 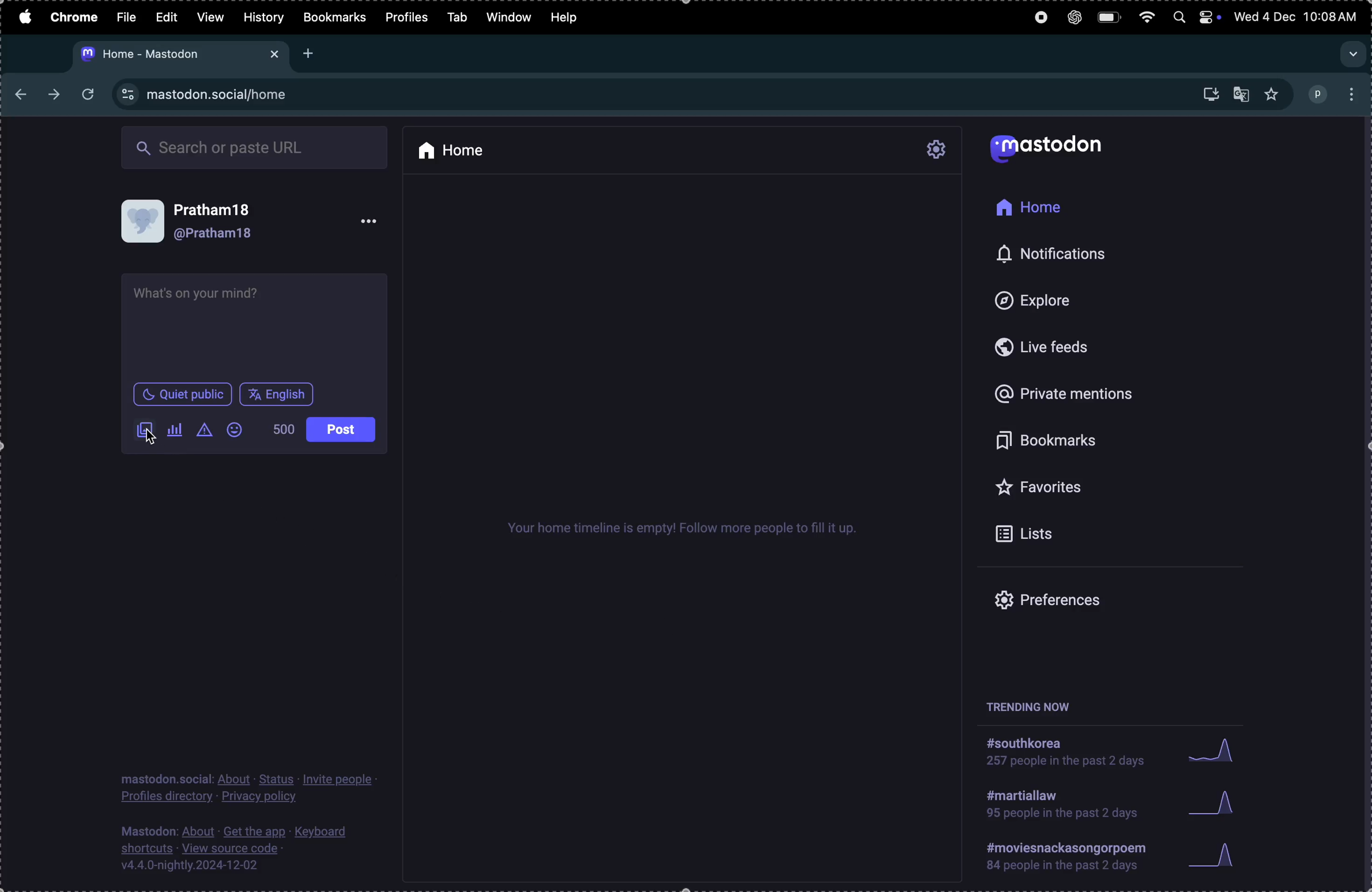 What do you see at coordinates (1036, 20) in the screenshot?
I see `record` at bounding box center [1036, 20].